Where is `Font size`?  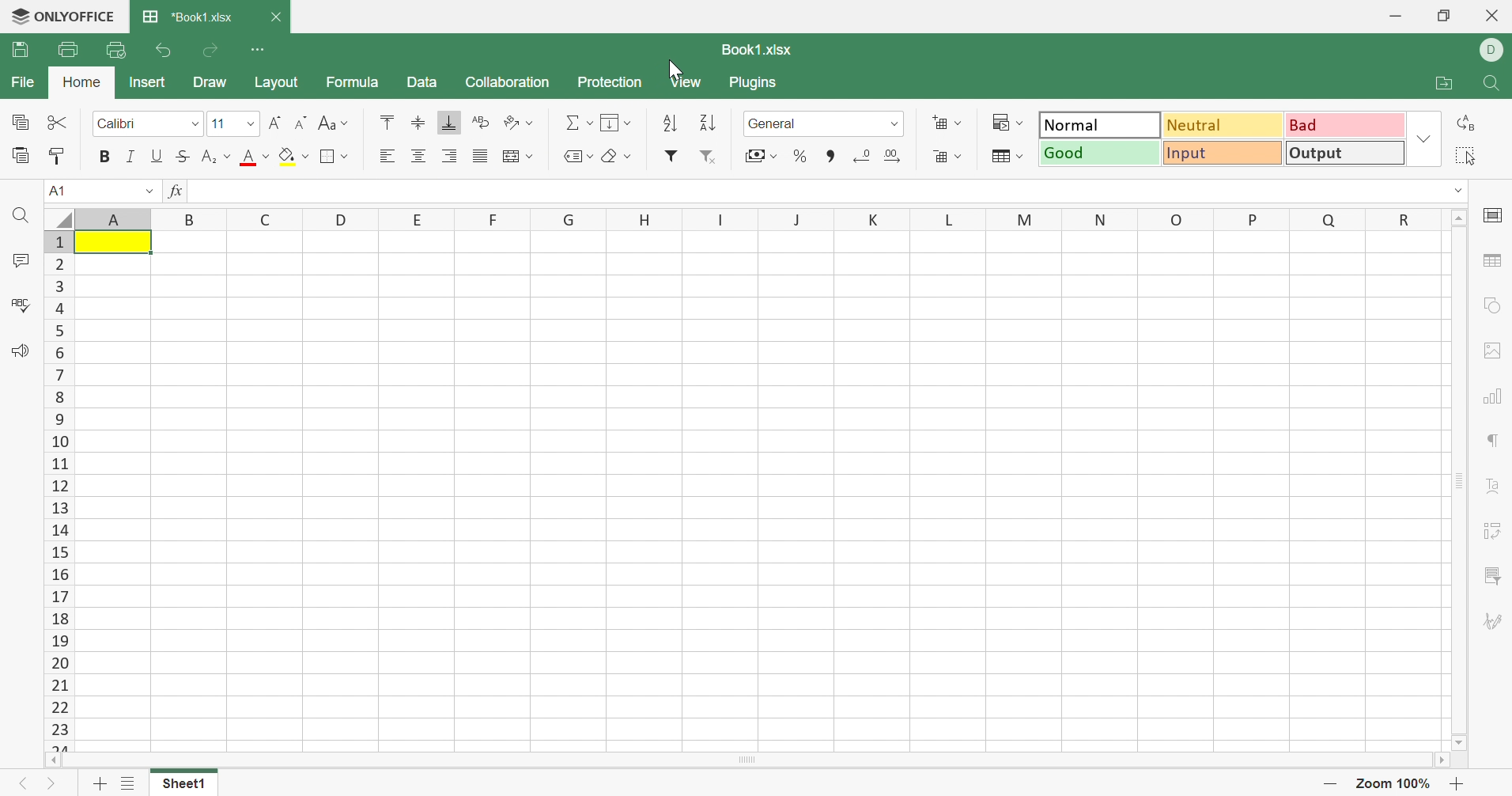 Font size is located at coordinates (232, 121).